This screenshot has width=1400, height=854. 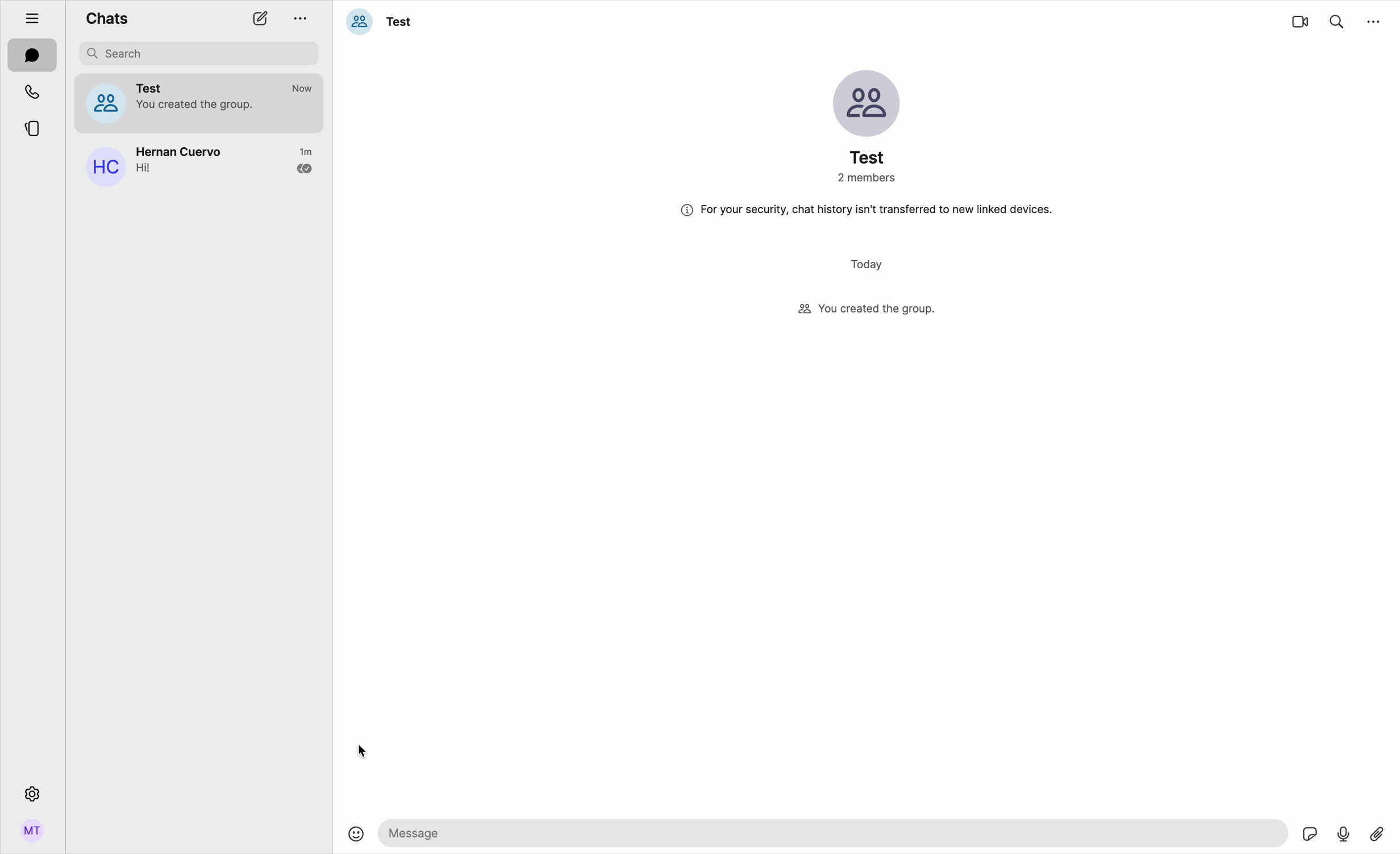 What do you see at coordinates (1311, 835) in the screenshot?
I see `sticker` at bounding box center [1311, 835].